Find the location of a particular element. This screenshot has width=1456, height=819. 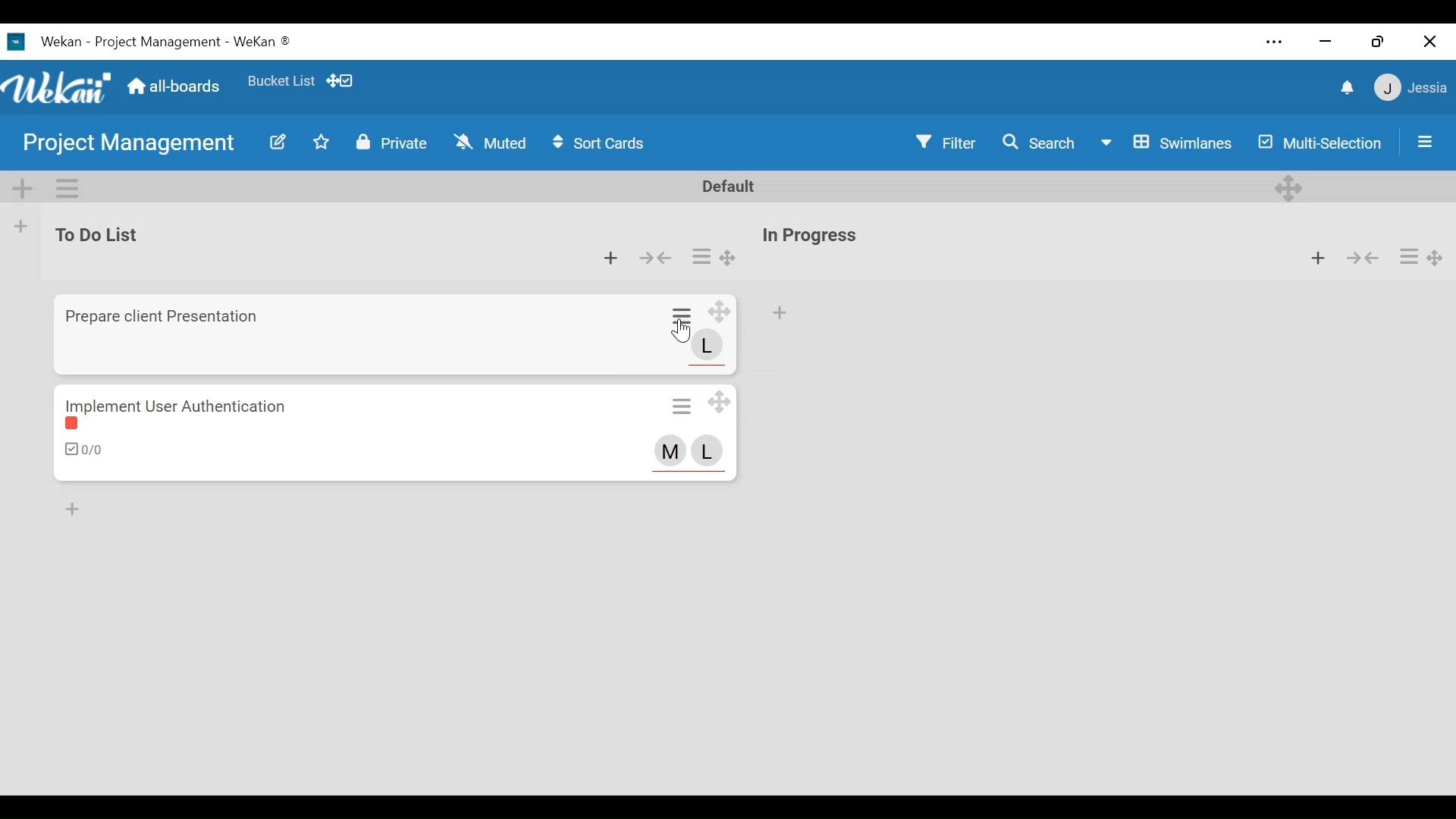

Search is located at coordinates (1038, 142).